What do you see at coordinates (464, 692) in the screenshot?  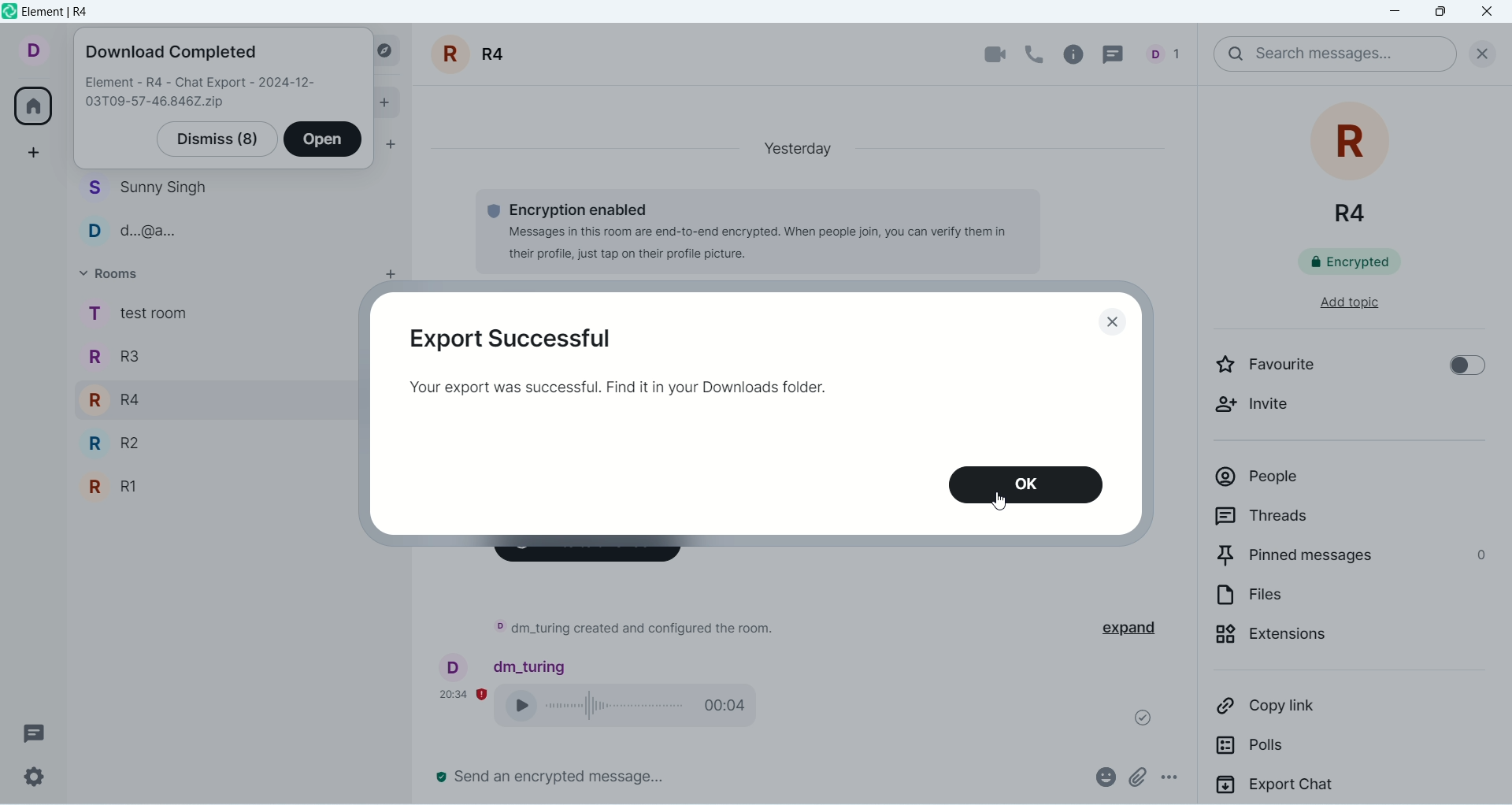 I see `time` at bounding box center [464, 692].